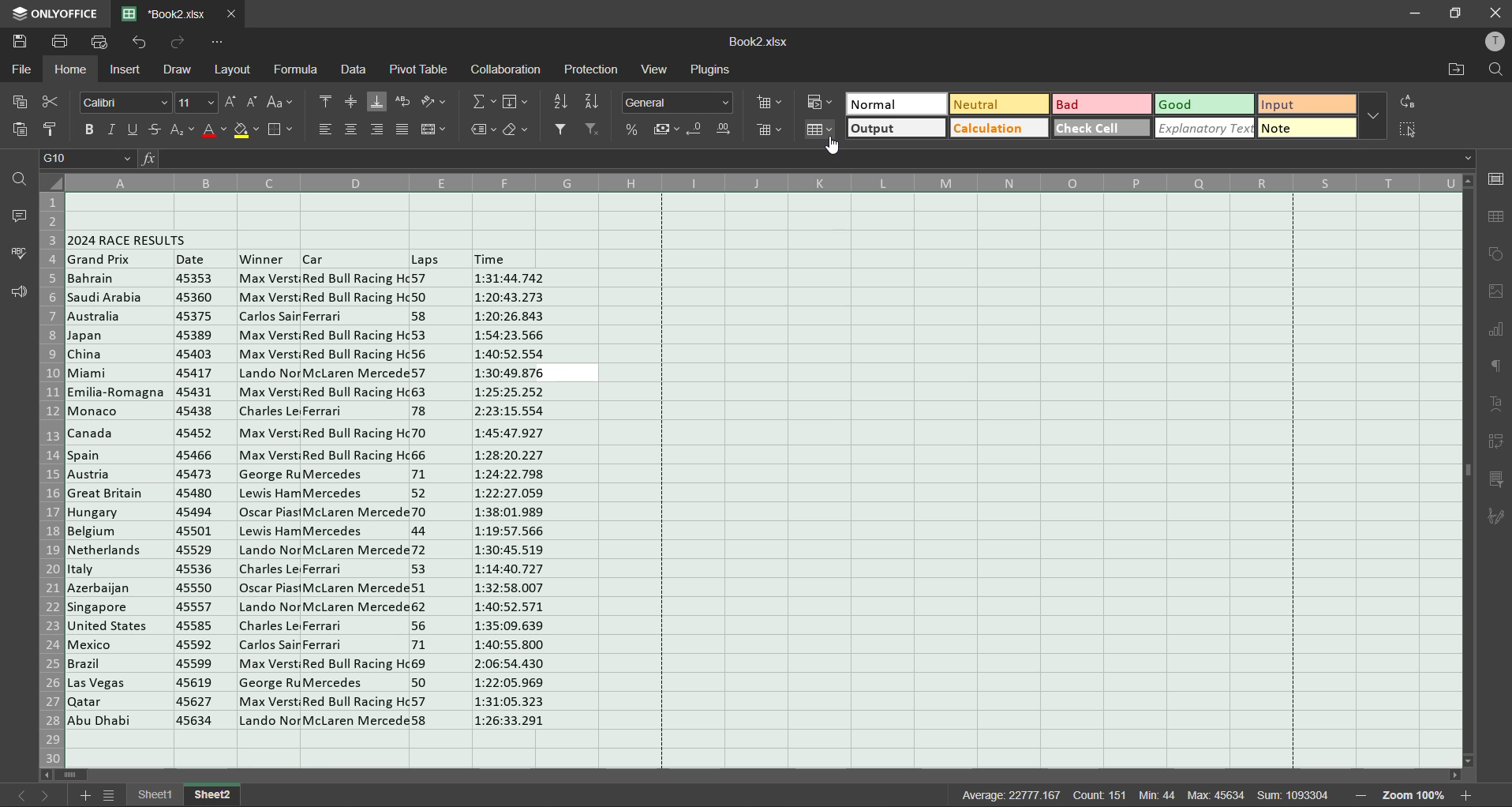 The image size is (1512, 807). I want to click on change case, so click(279, 103).